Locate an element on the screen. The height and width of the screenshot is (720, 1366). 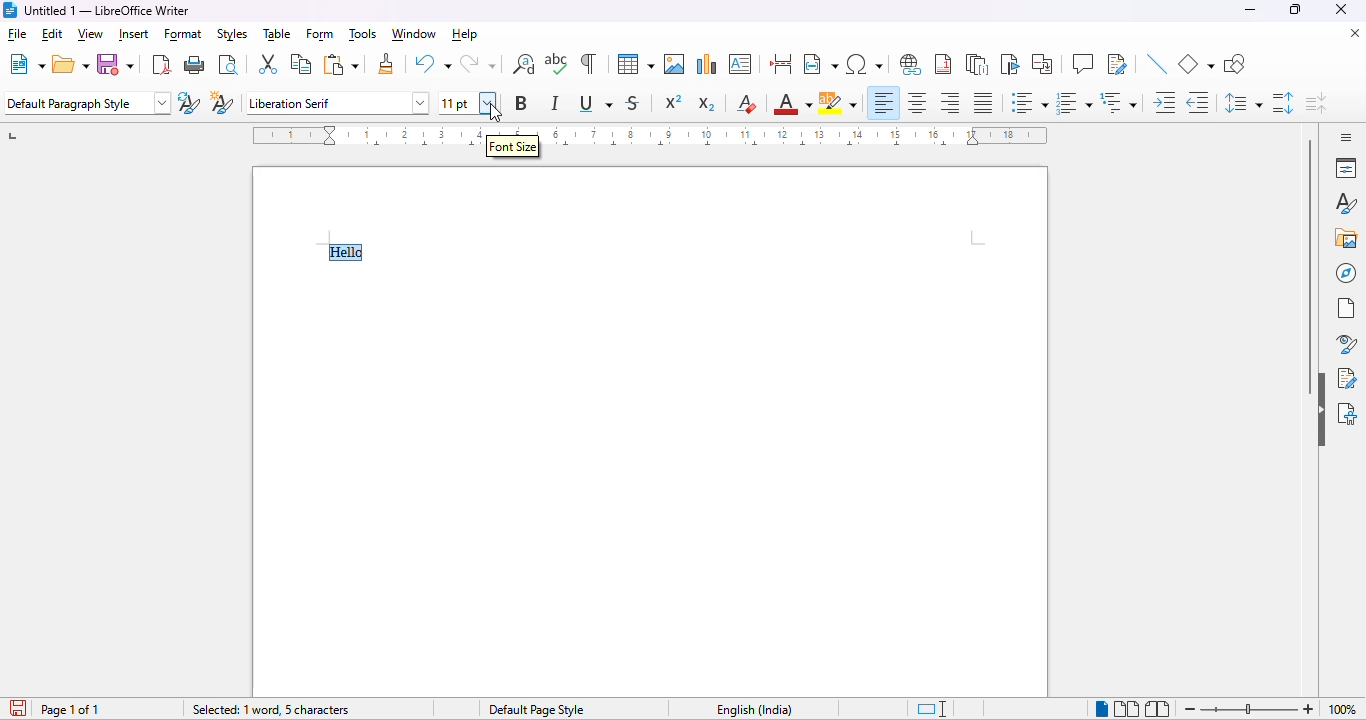
style inspector is located at coordinates (1343, 343).